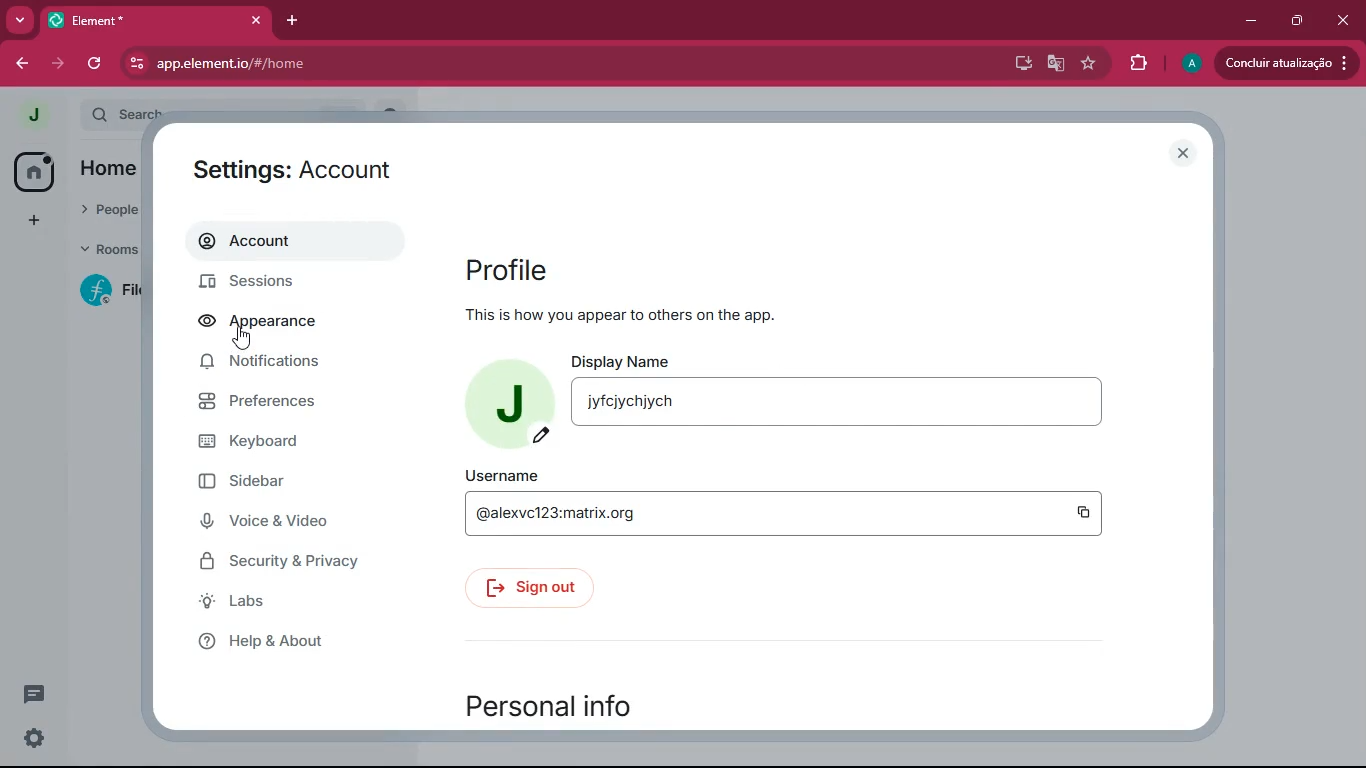 The width and height of the screenshot is (1366, 768). Describe the element at coordinates (839, 400) in the screenshot. I see `display name` at that location.